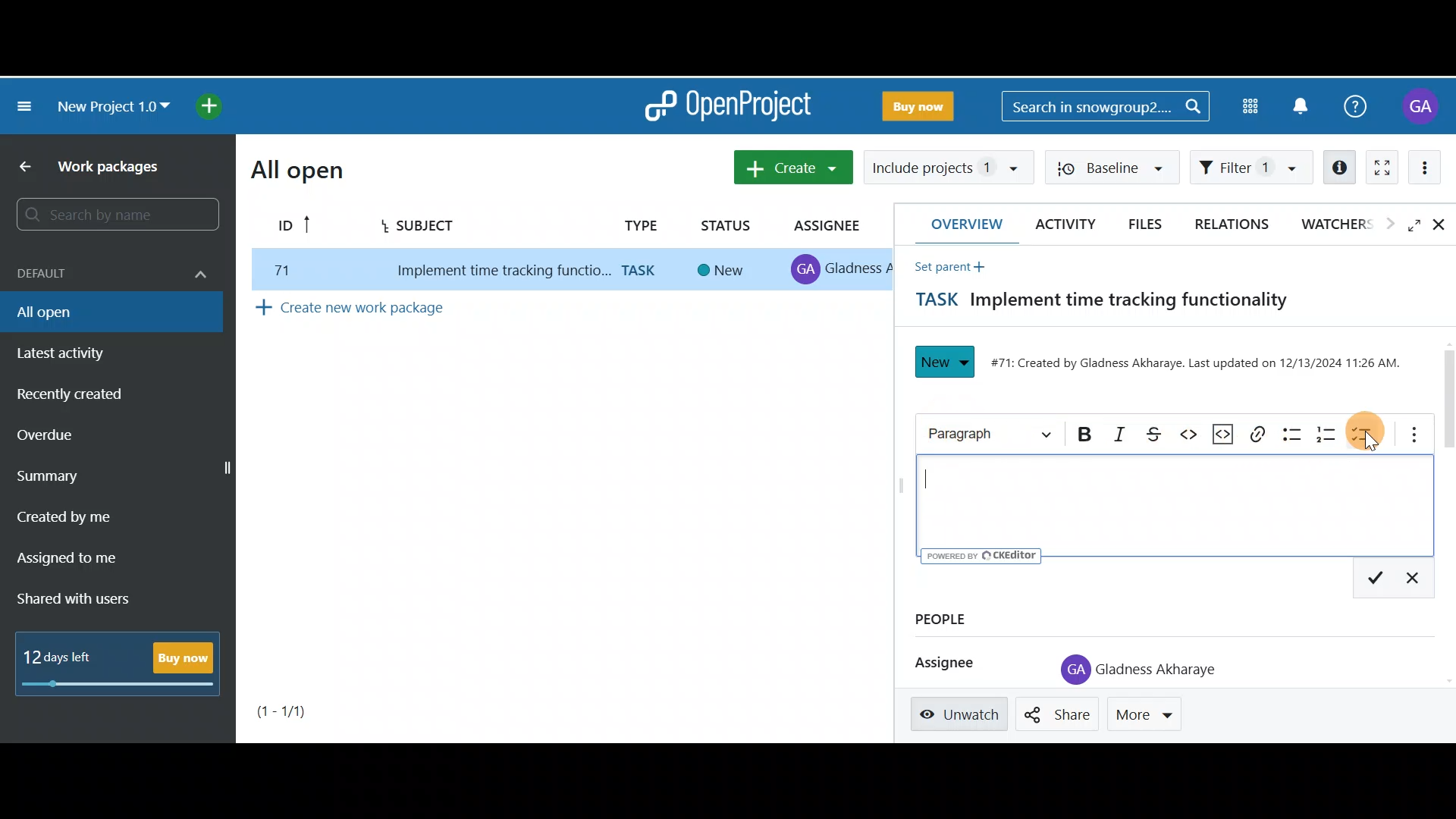  I want to click on New project 1.0, so click(108, 104).